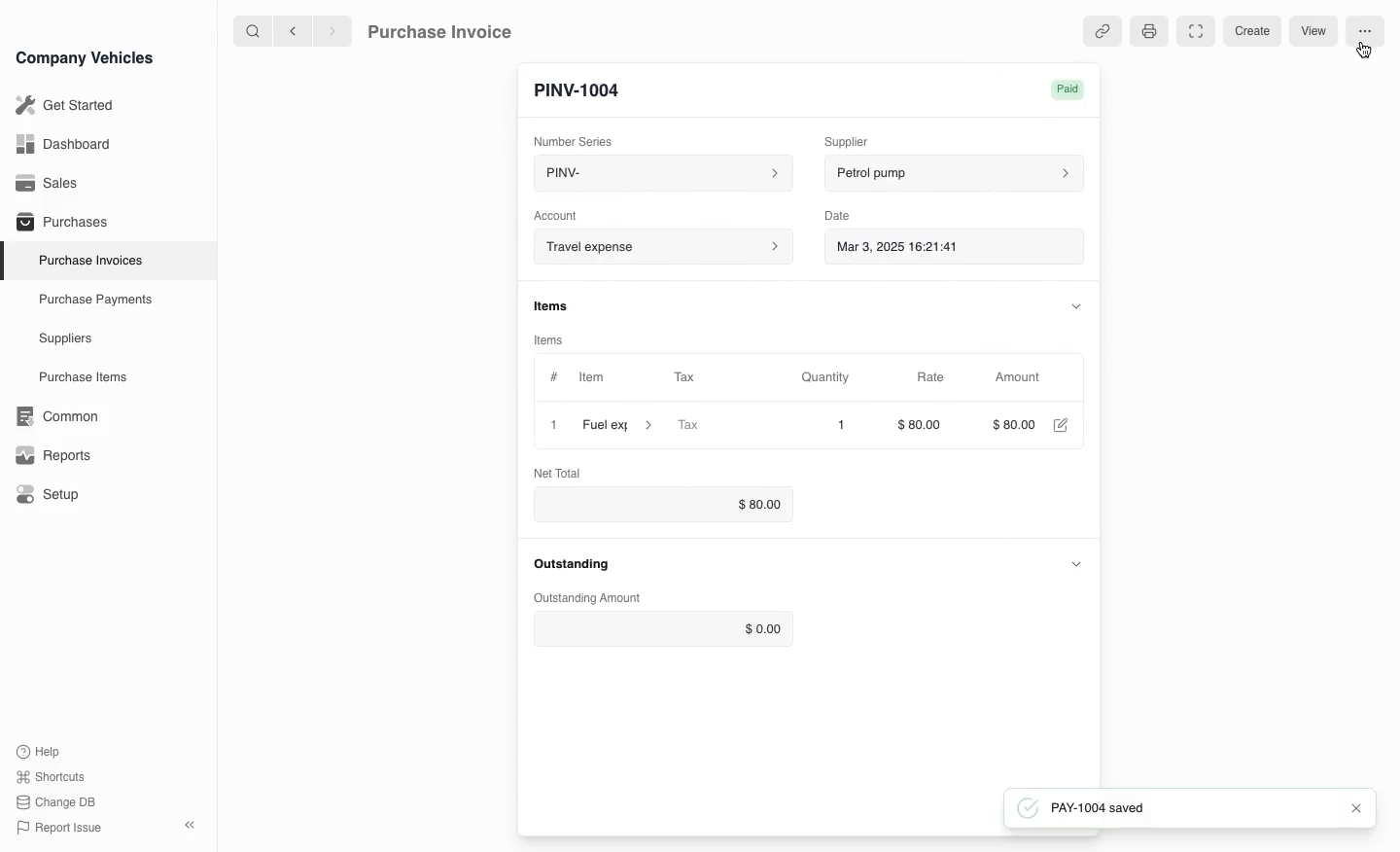  What do you see at coordinates (1013, 427) in the screenshot?
I see `$000` at bounding box center [1013, 427].